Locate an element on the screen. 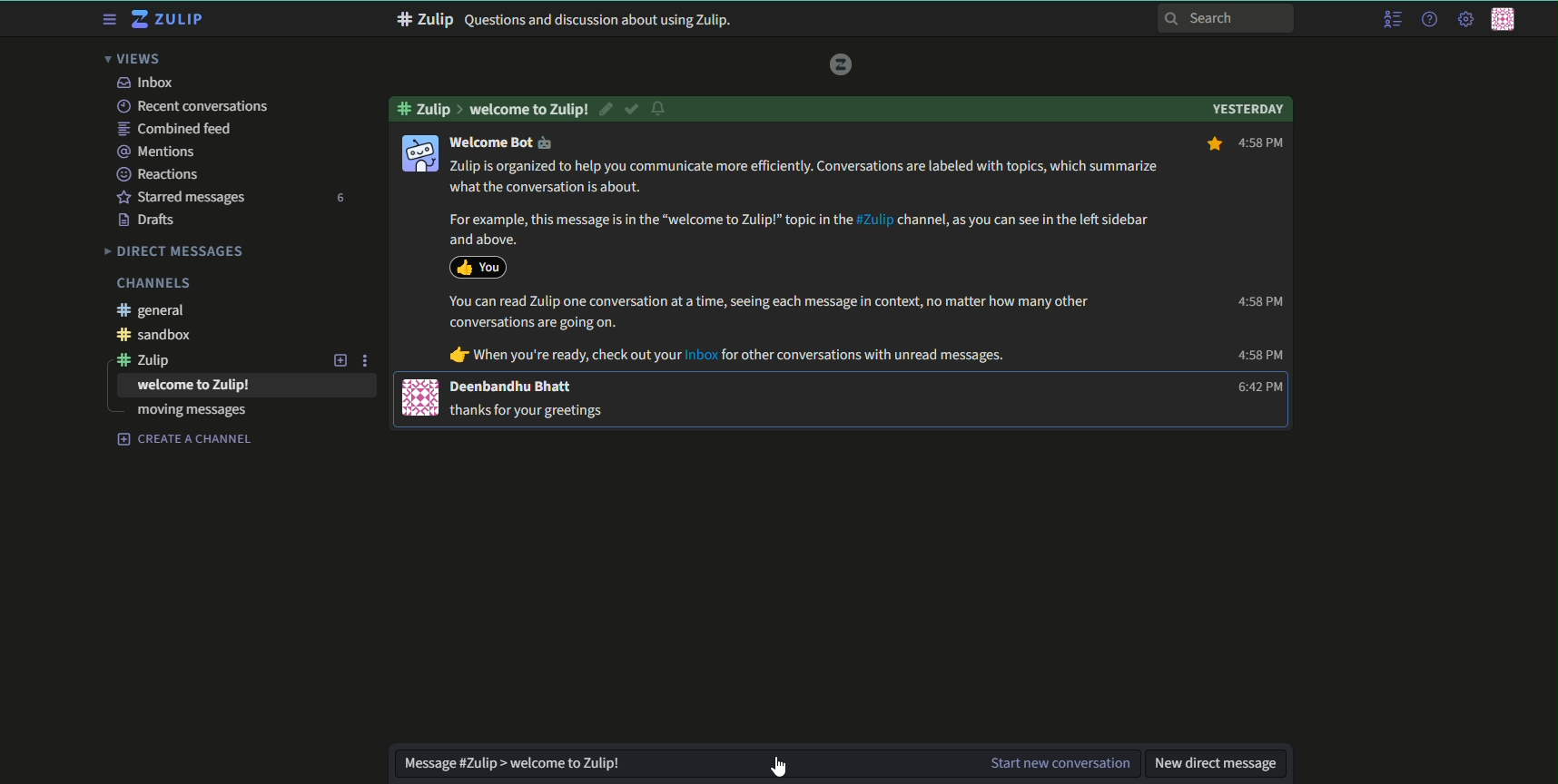 The image size is (1558, 784). add is located at coordinates (338, 359).